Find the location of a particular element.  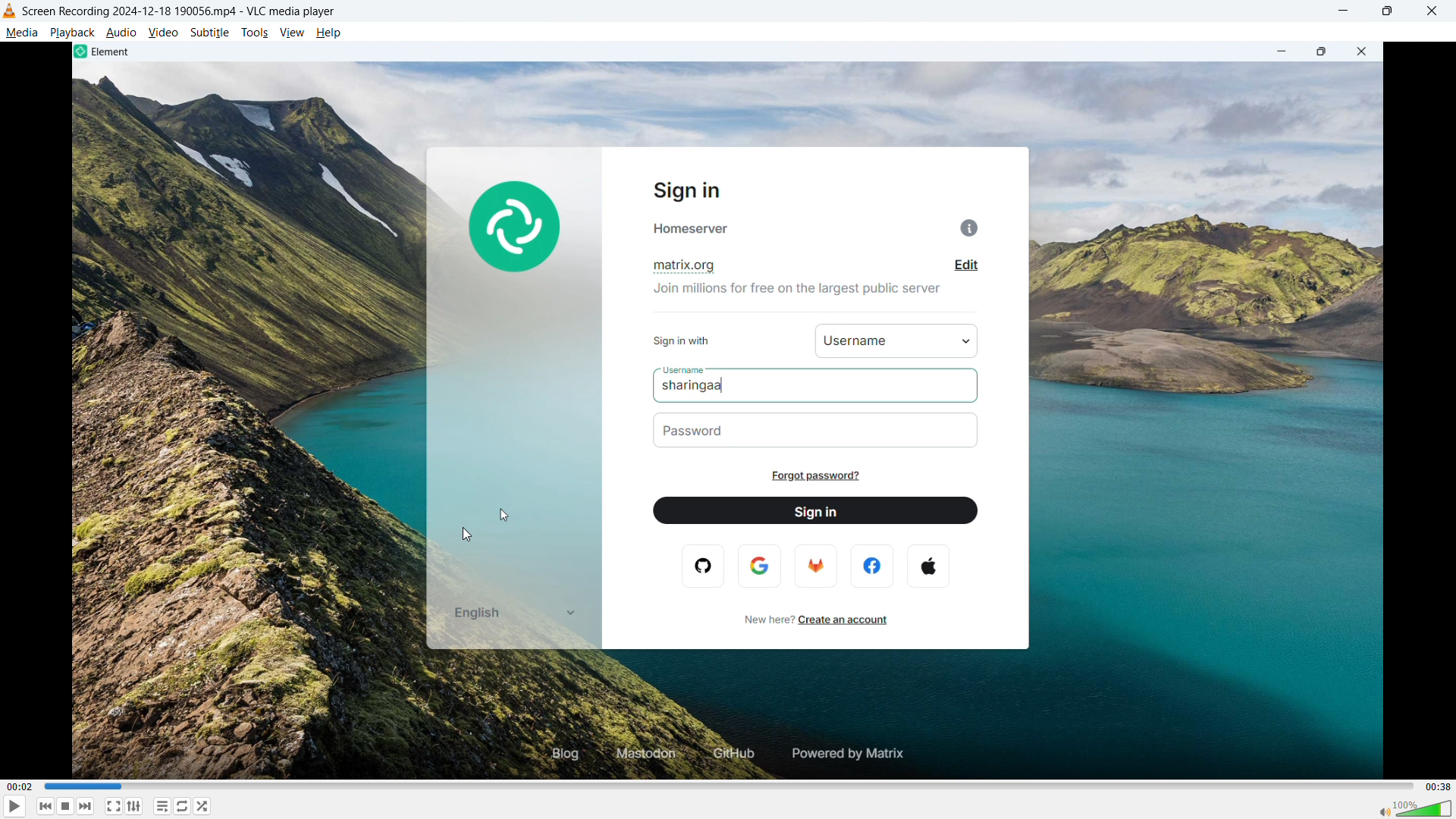

Backward or previous media  is located at coordinates (46, 806).